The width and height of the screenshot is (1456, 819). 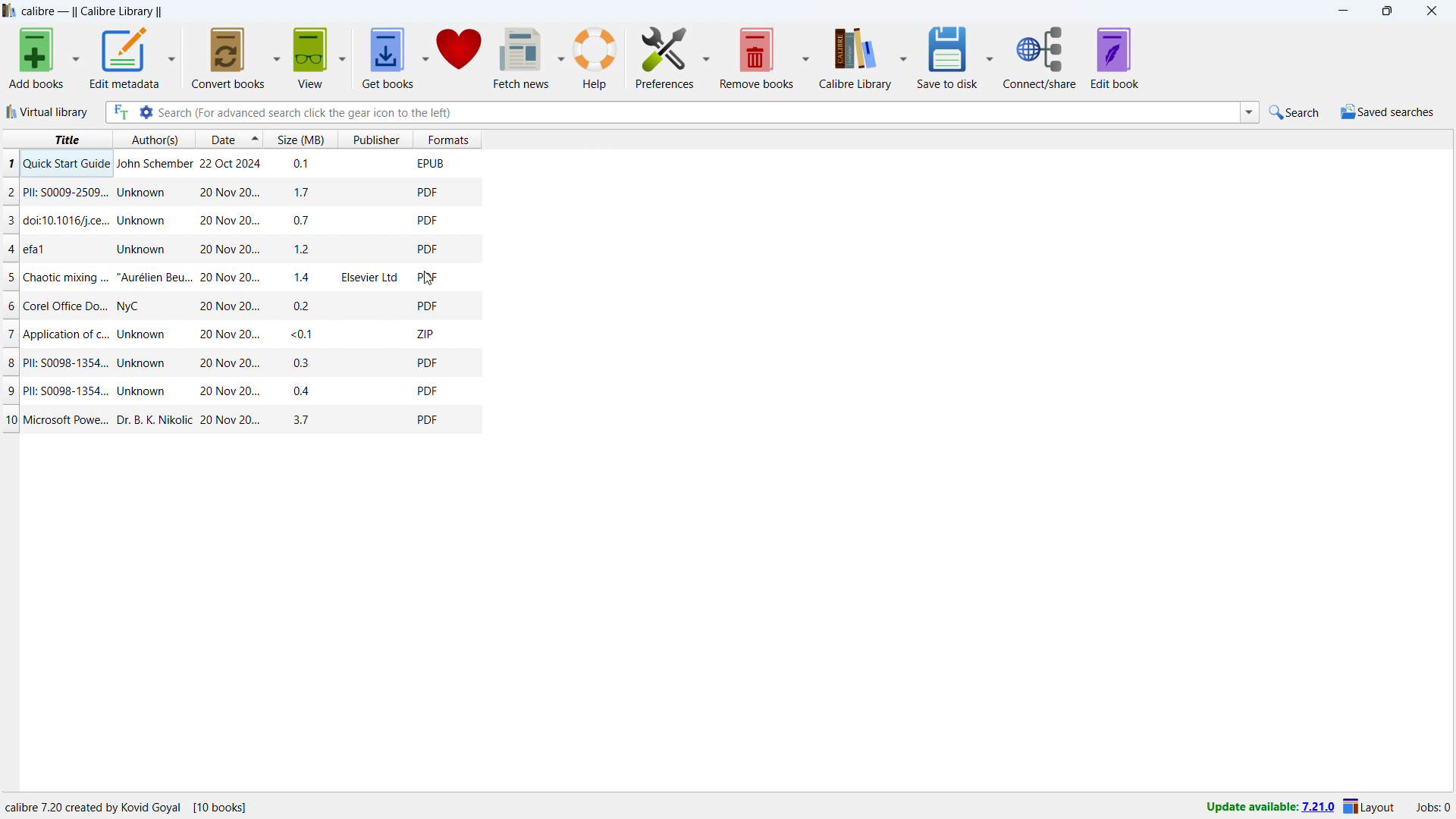 What do you see at coordinates (255, 139) in the screenshot?
I see `select sorting order` at bounding box center [255, 139].